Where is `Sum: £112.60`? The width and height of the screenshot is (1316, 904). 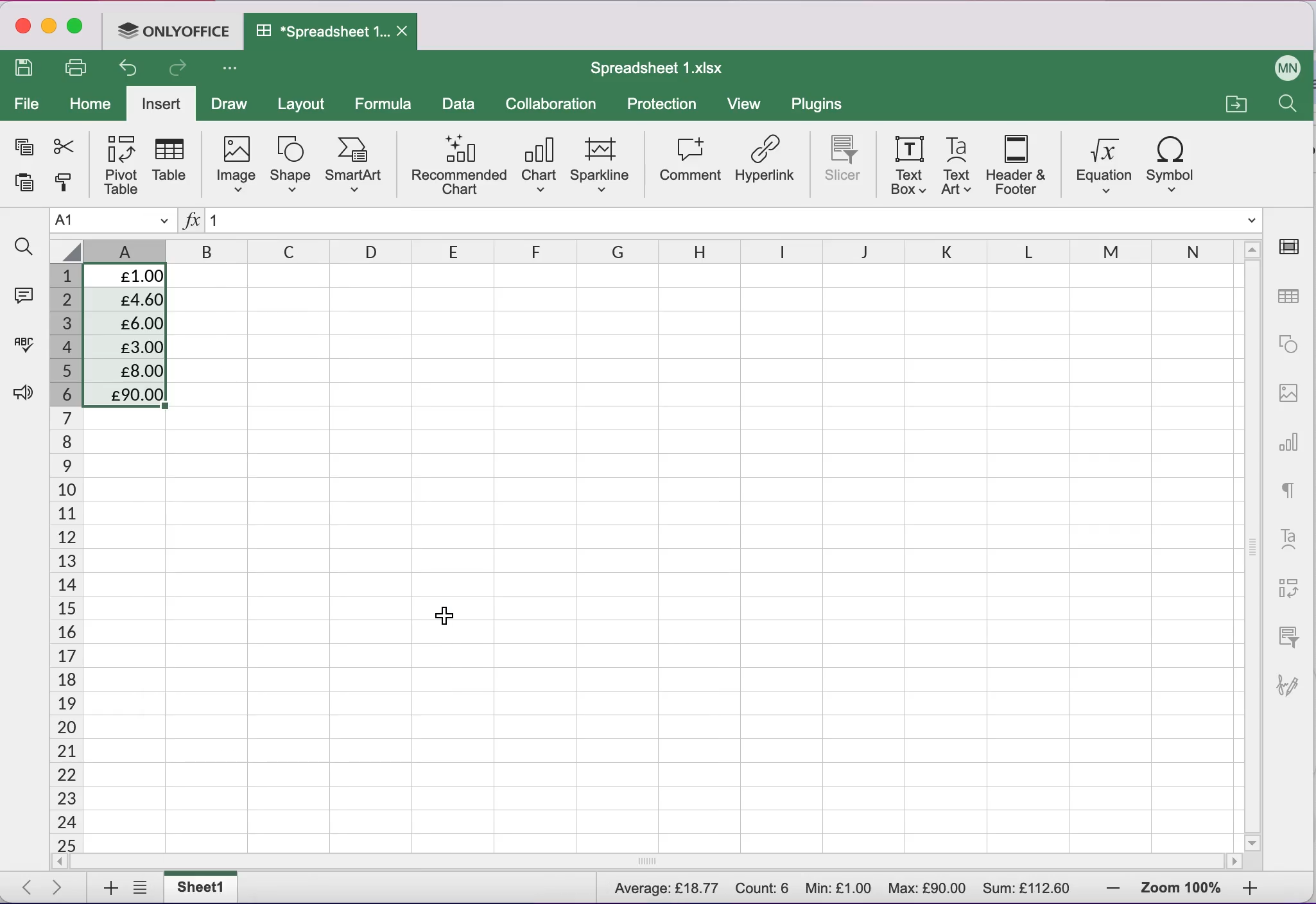 Sum: £112.60 is located at coordinates (1023, 886).